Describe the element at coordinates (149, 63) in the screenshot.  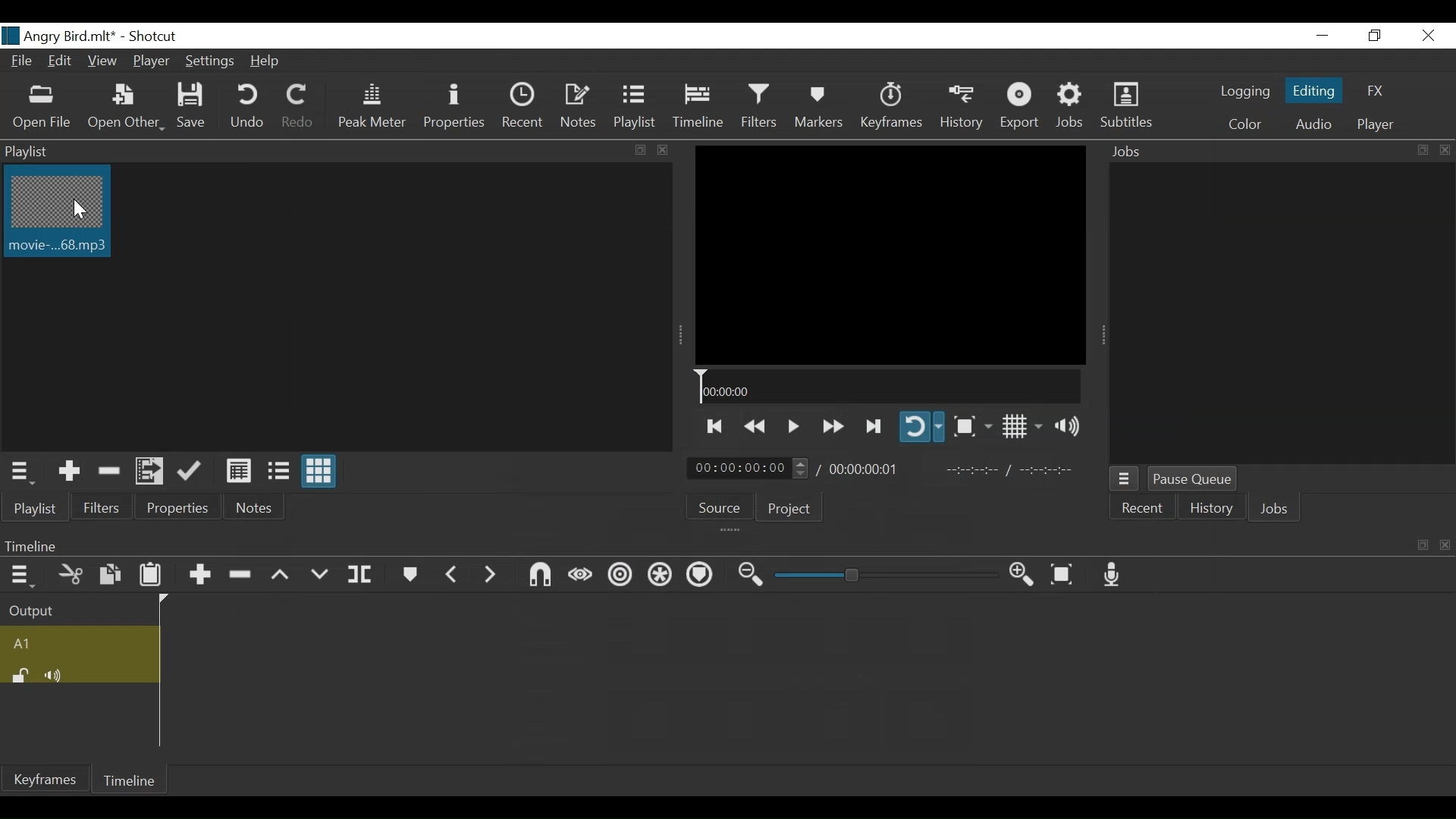
I see `Player` at that location.